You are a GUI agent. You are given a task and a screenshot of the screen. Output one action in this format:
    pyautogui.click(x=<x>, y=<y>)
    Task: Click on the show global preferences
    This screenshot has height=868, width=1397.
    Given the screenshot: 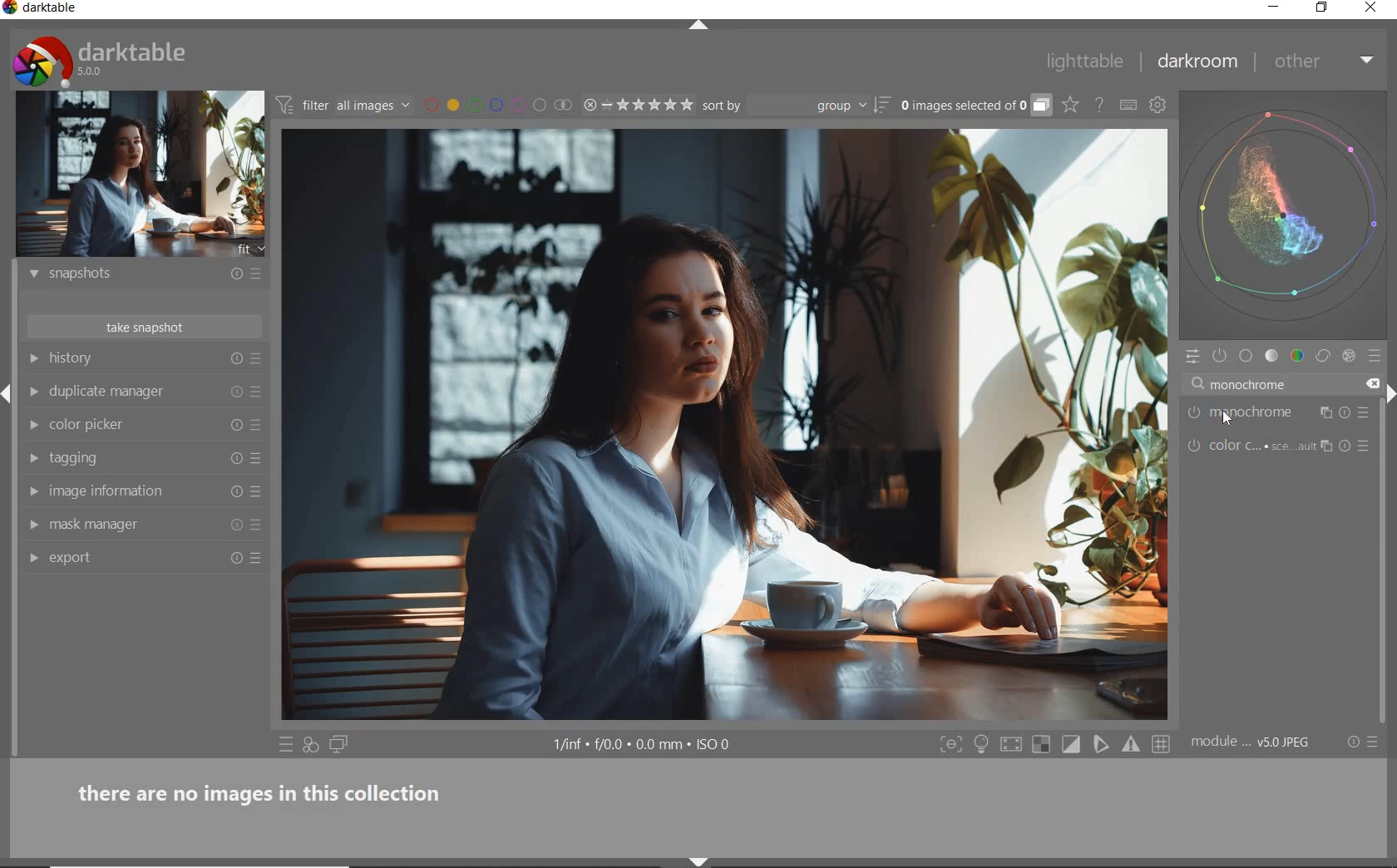 What is the action you would take?
    pyautogui.click(x=1158, y=107)
    